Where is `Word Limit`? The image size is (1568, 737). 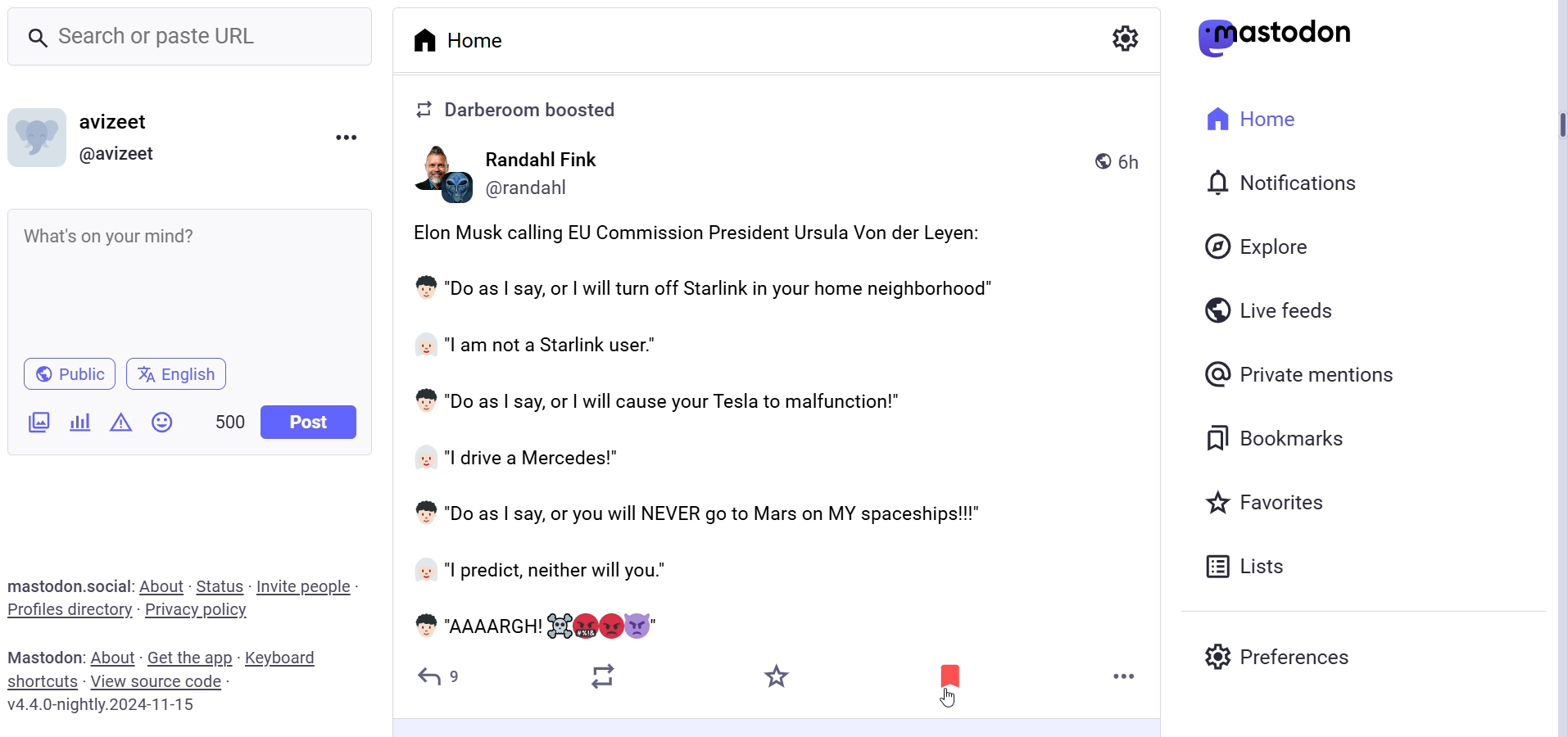 Word Limit is located at coordinates (232, 422).